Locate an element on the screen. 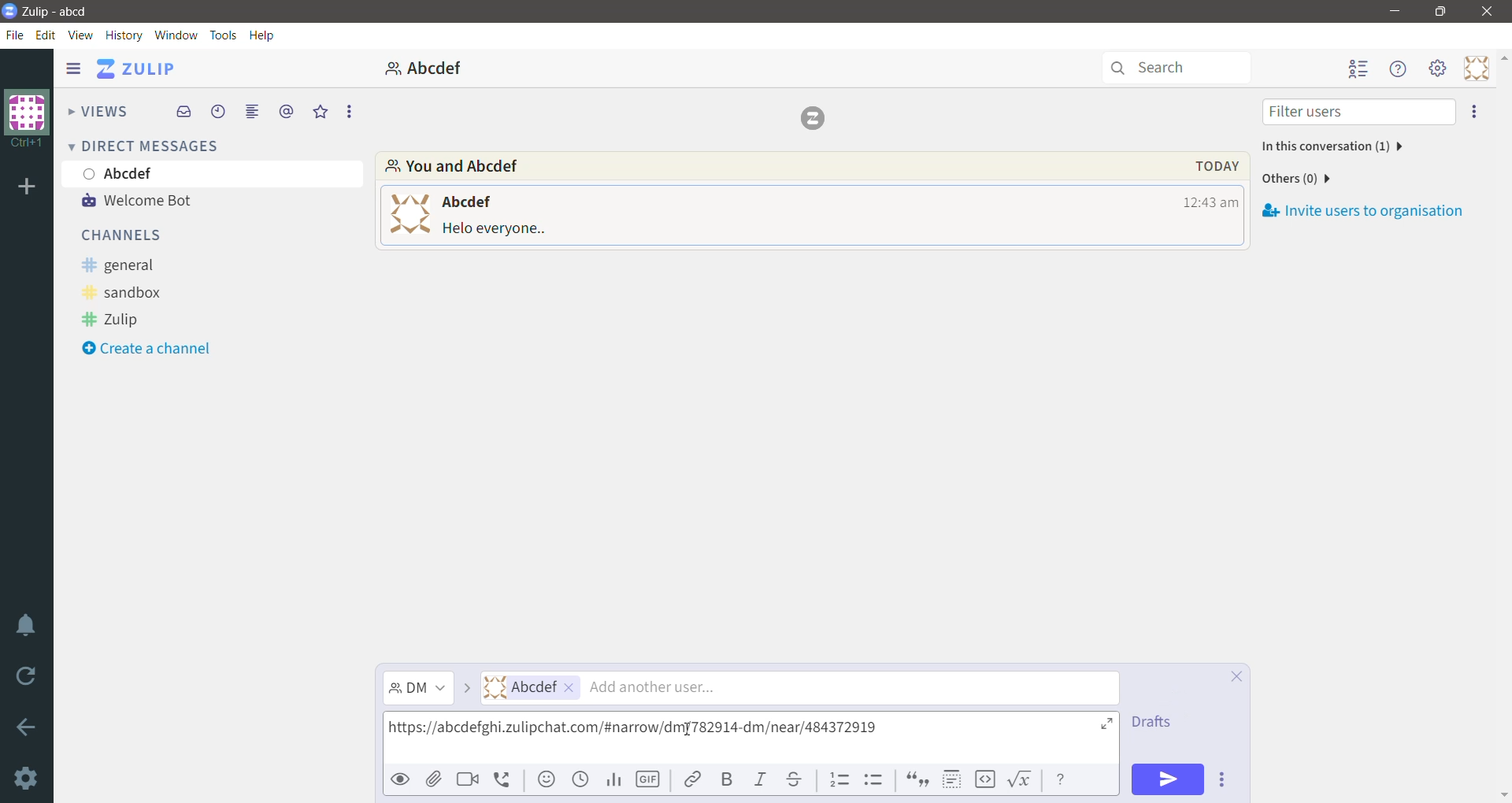  Italic is located at coordinates (759, 779).